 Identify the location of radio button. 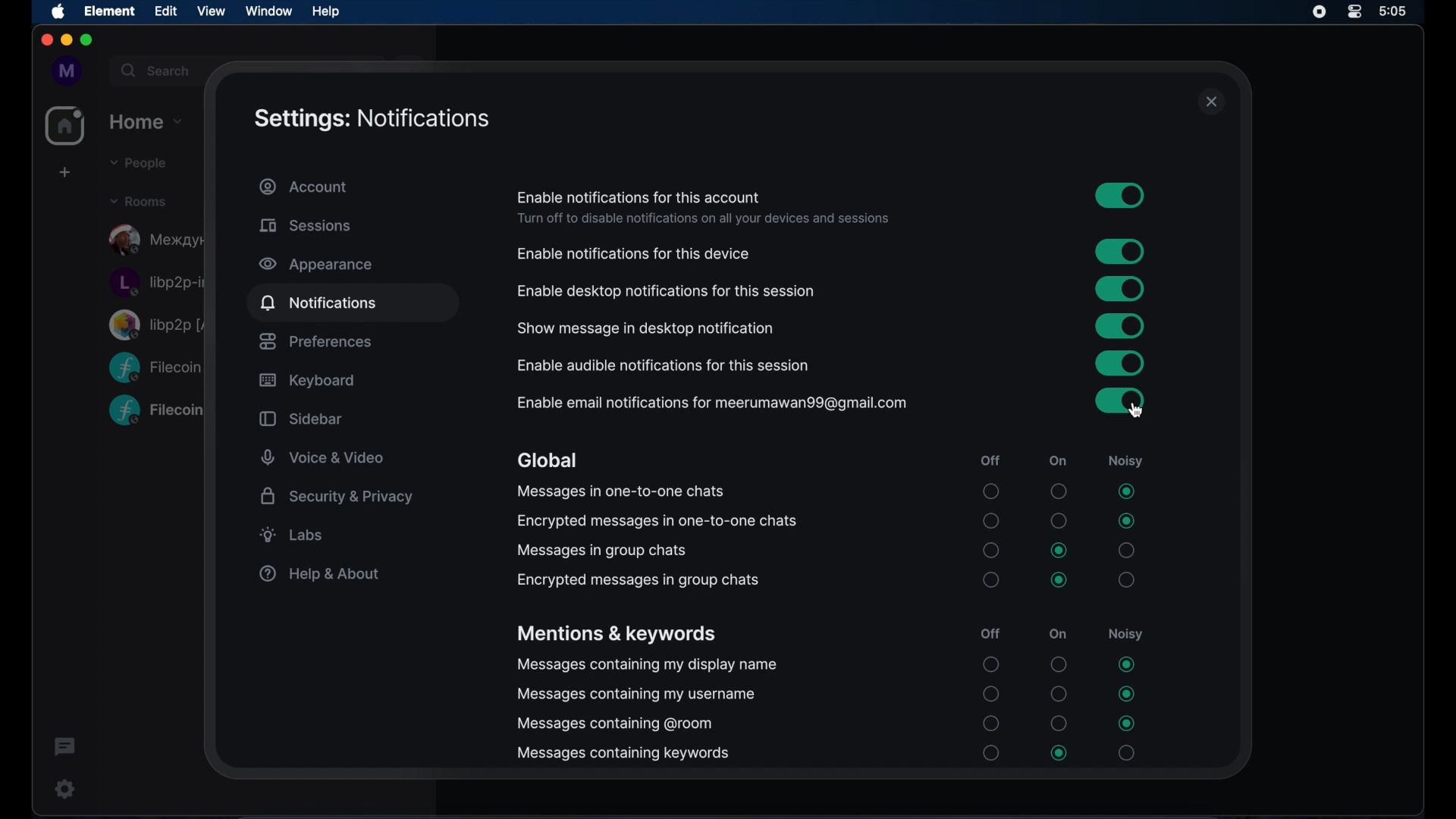
(991, 664).